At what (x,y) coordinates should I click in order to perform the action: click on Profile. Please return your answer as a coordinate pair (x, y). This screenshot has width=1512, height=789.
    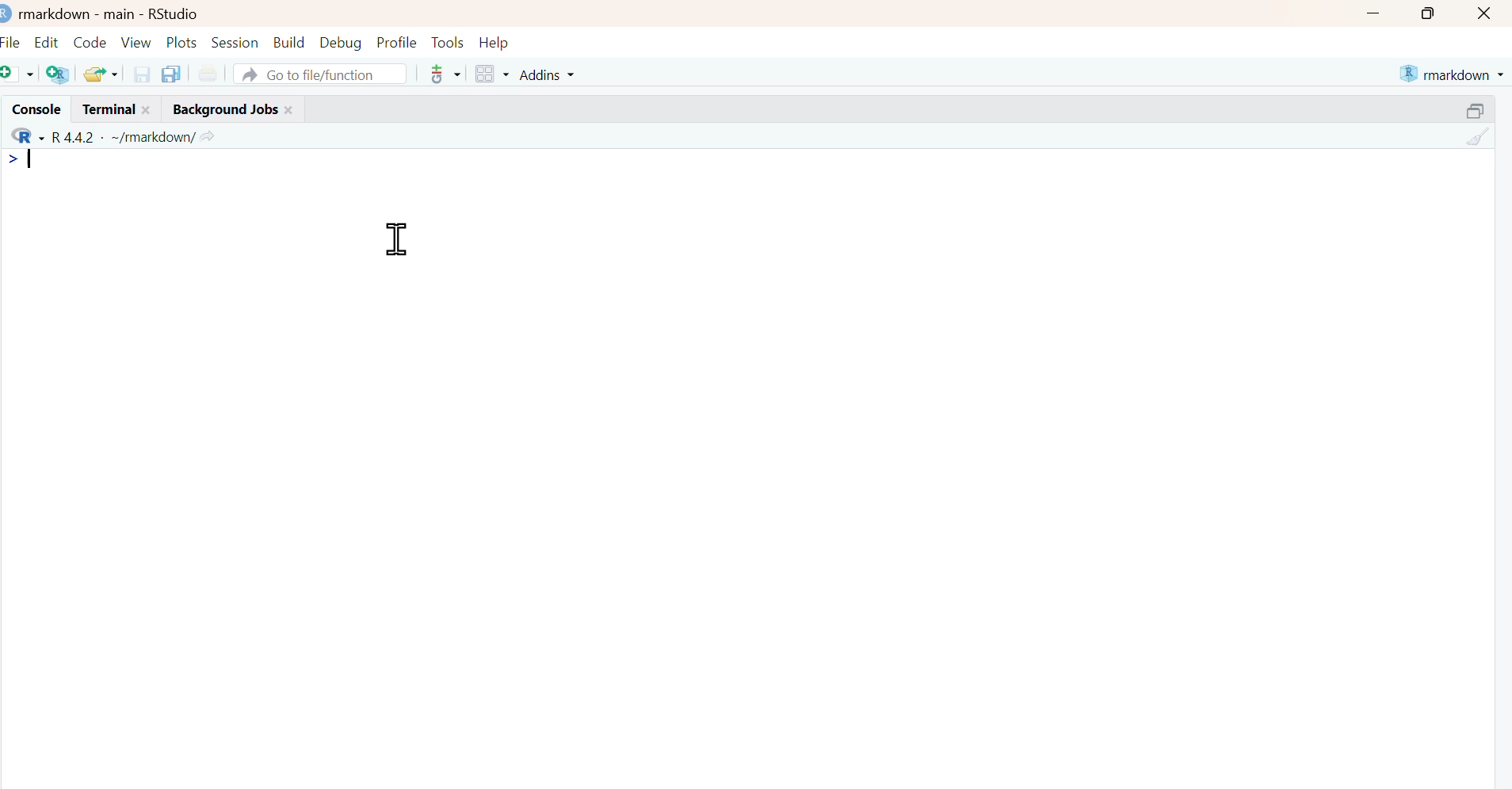
    Looking at the image, I should click on (396, 40).